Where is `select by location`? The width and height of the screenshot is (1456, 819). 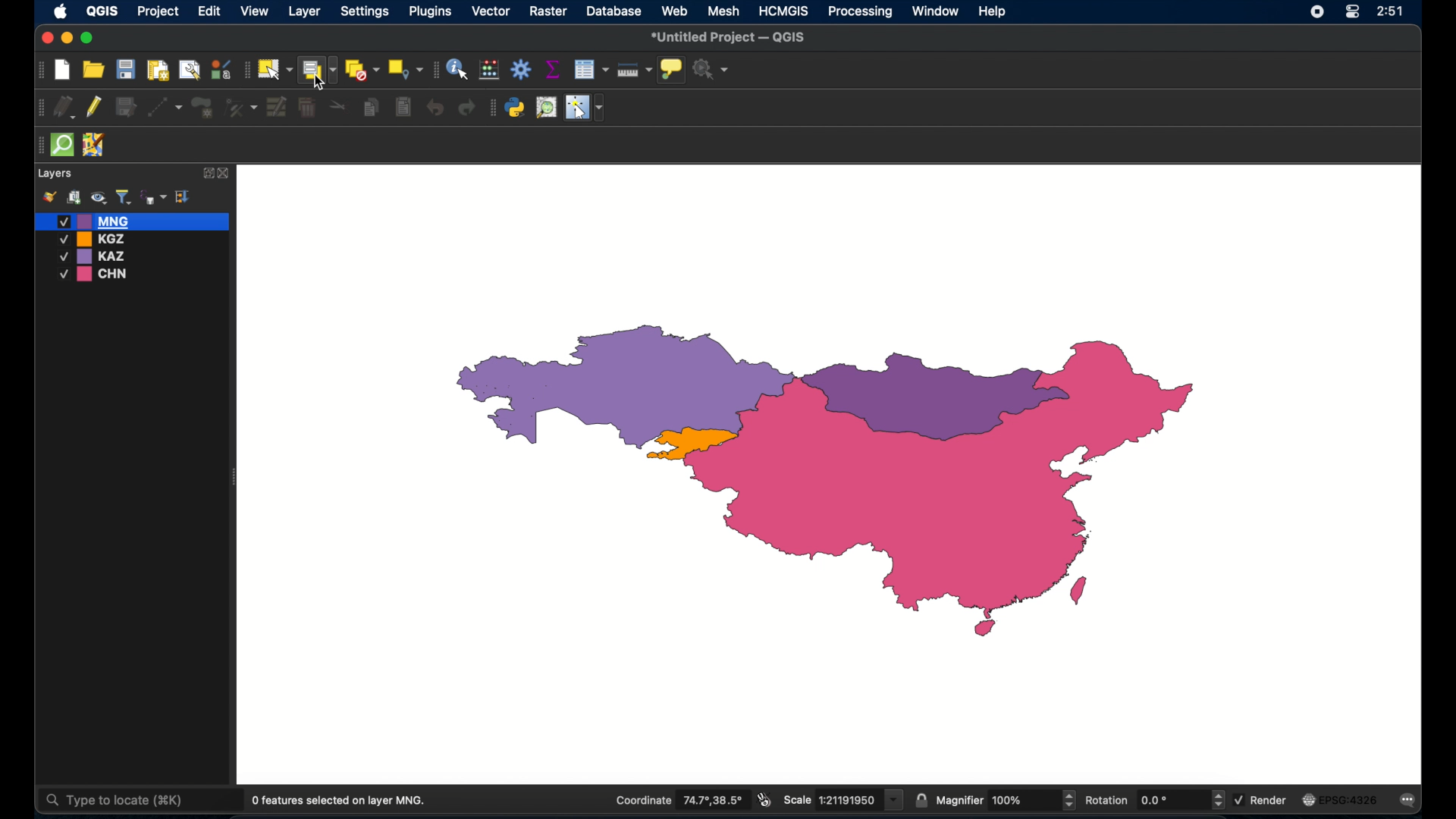
select by location is located at coordinates (406, 70).